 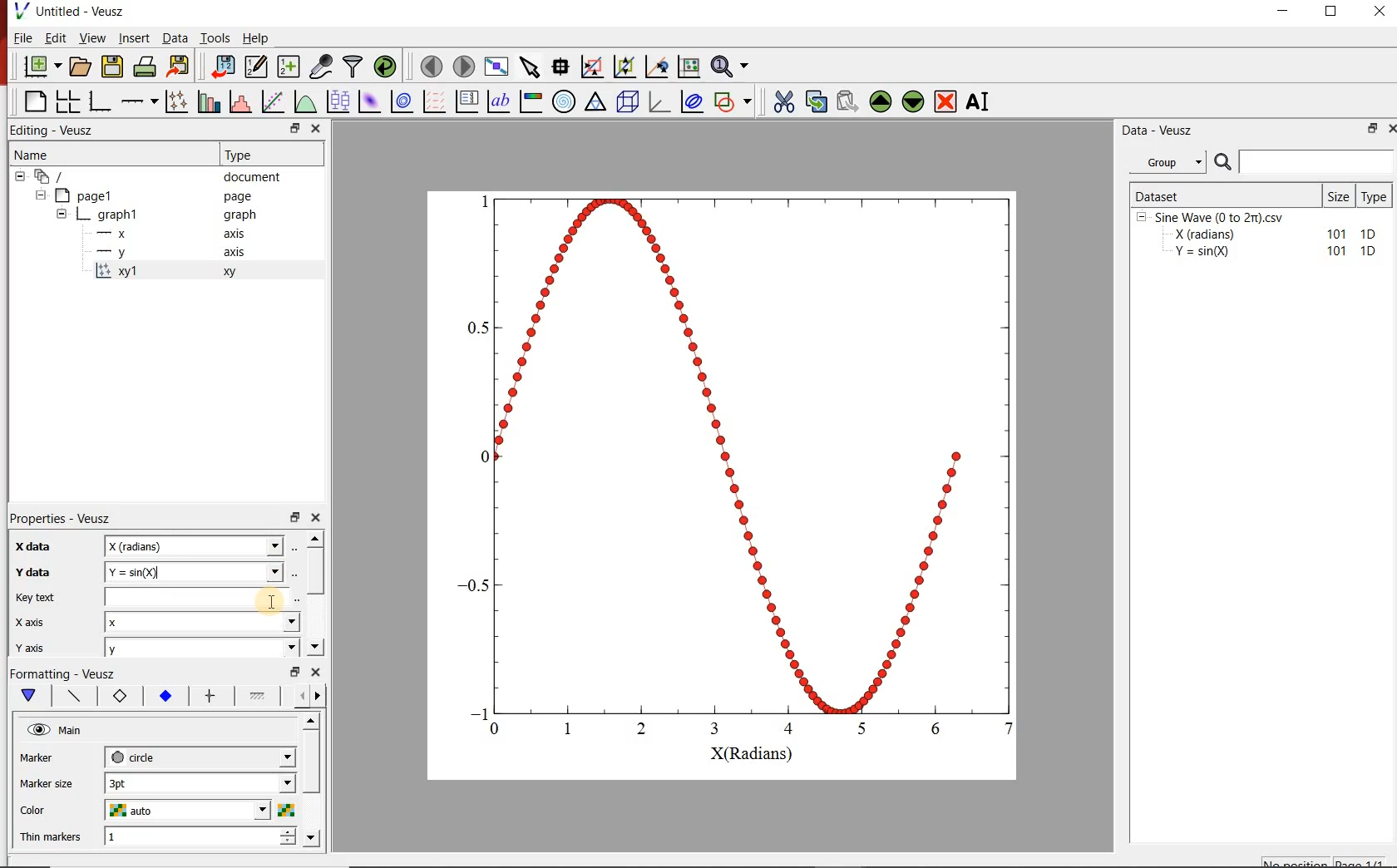 I want to click on arrange graph, so click(x=68, y=101).